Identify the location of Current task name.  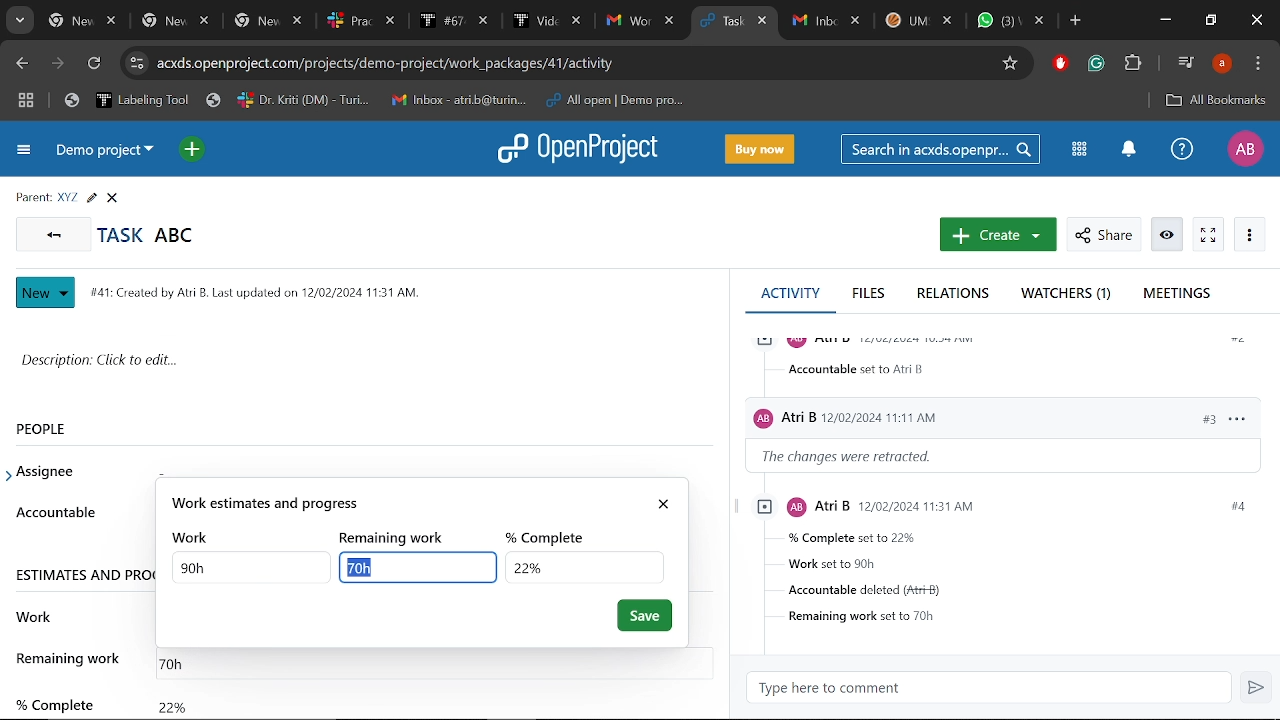
(153, 234).